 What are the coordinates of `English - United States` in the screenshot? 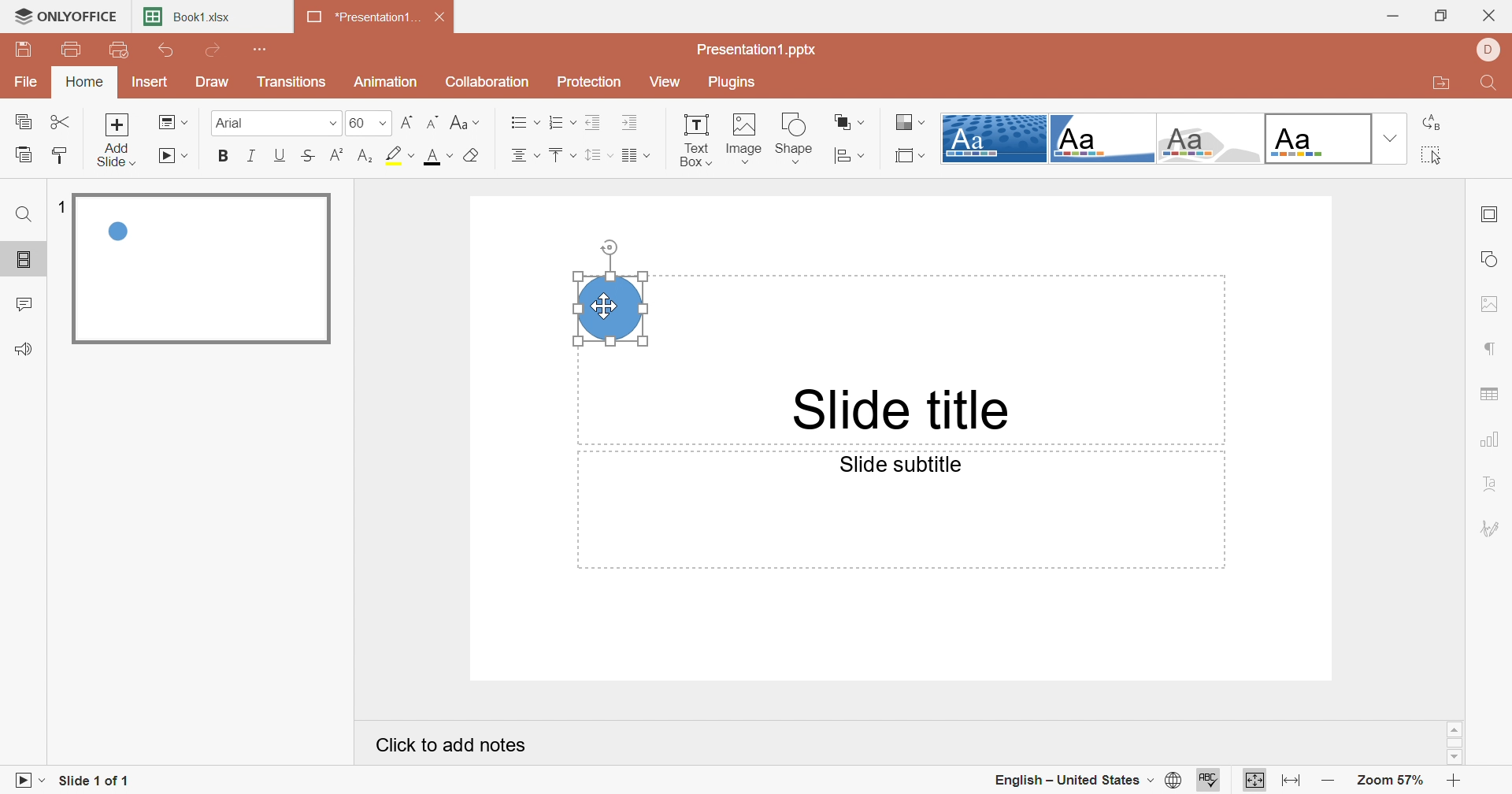 It's located at (1073, 781).